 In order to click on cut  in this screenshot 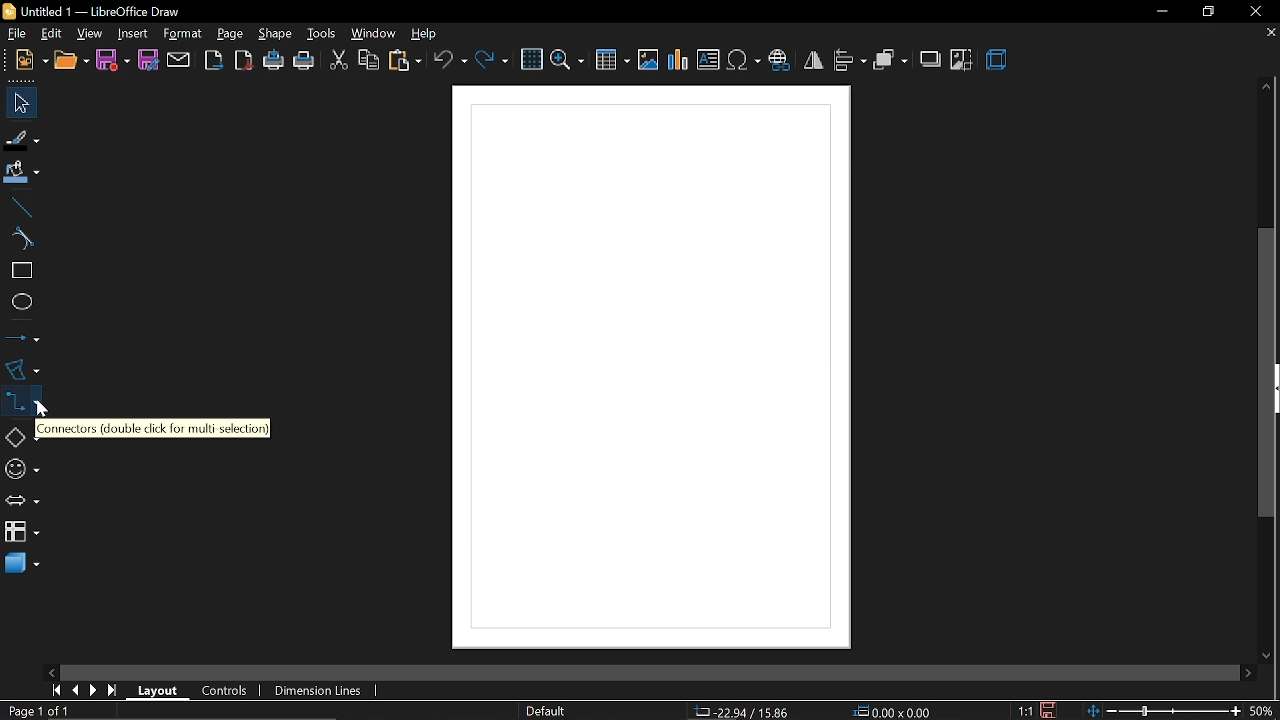, I will do `click(337, 62)`.